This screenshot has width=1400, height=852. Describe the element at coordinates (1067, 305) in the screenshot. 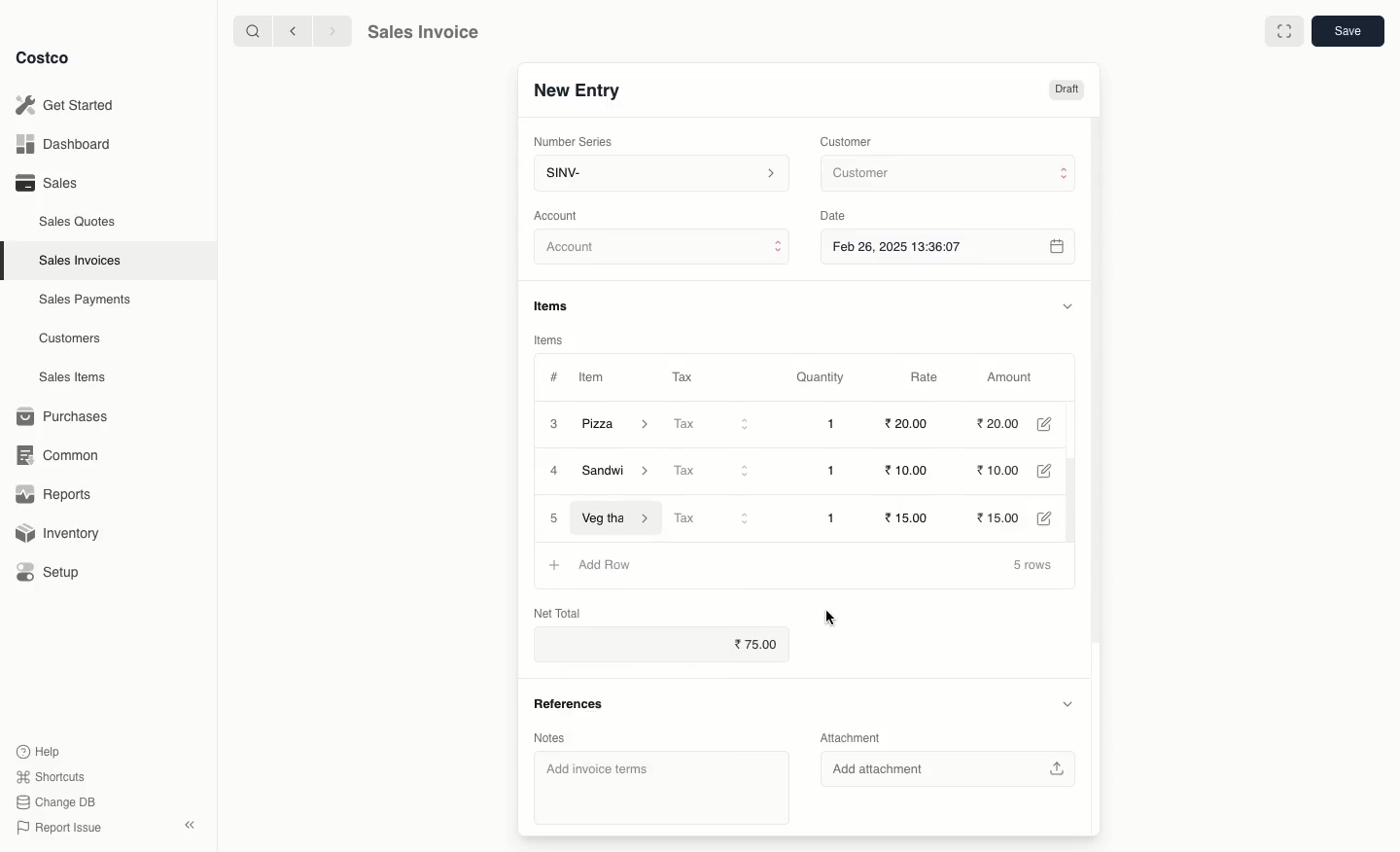

I see `Hide` at that location.